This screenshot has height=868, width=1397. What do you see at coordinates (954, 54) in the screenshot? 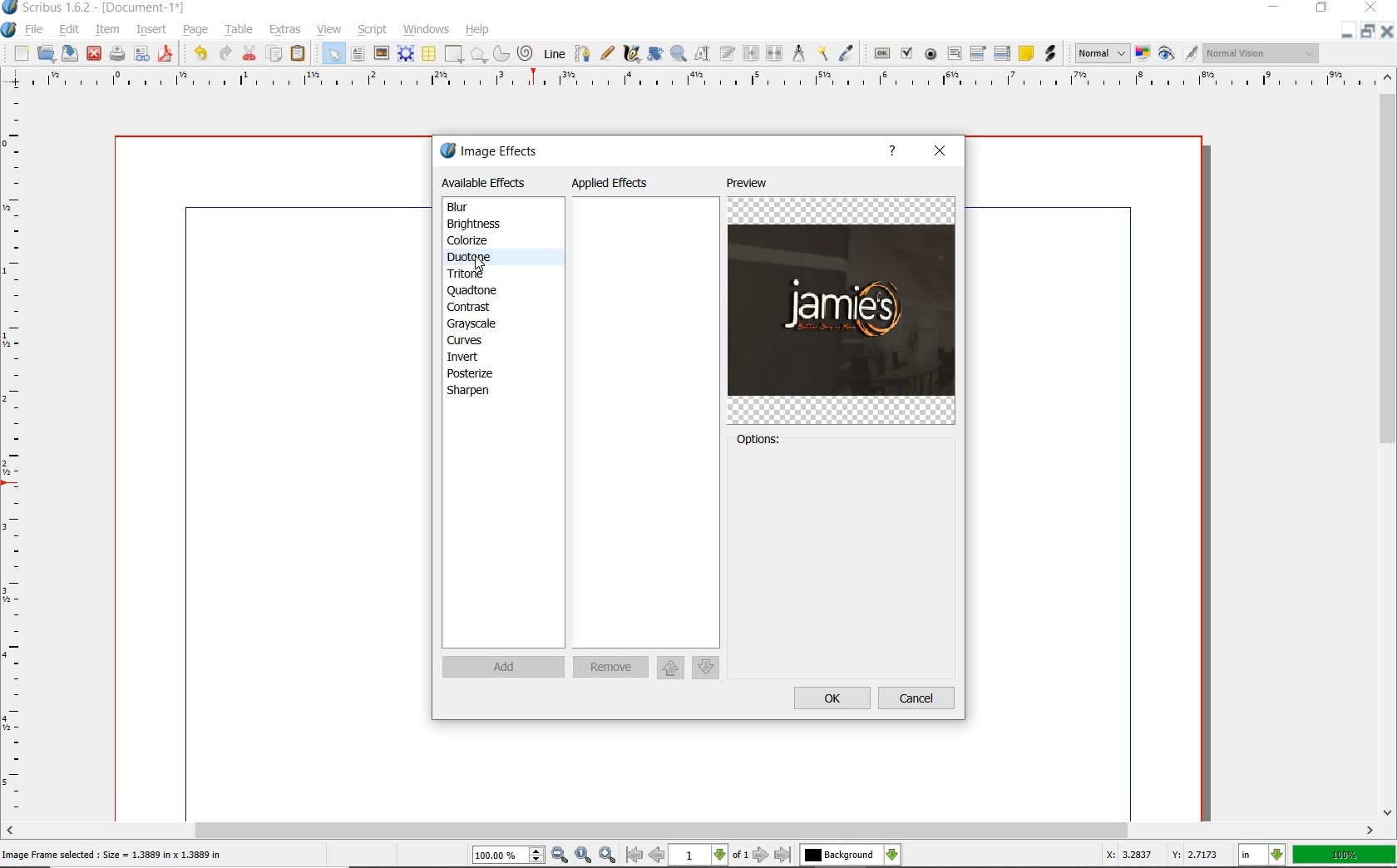
I see `pdf text field` at bounding box center [954, 54].